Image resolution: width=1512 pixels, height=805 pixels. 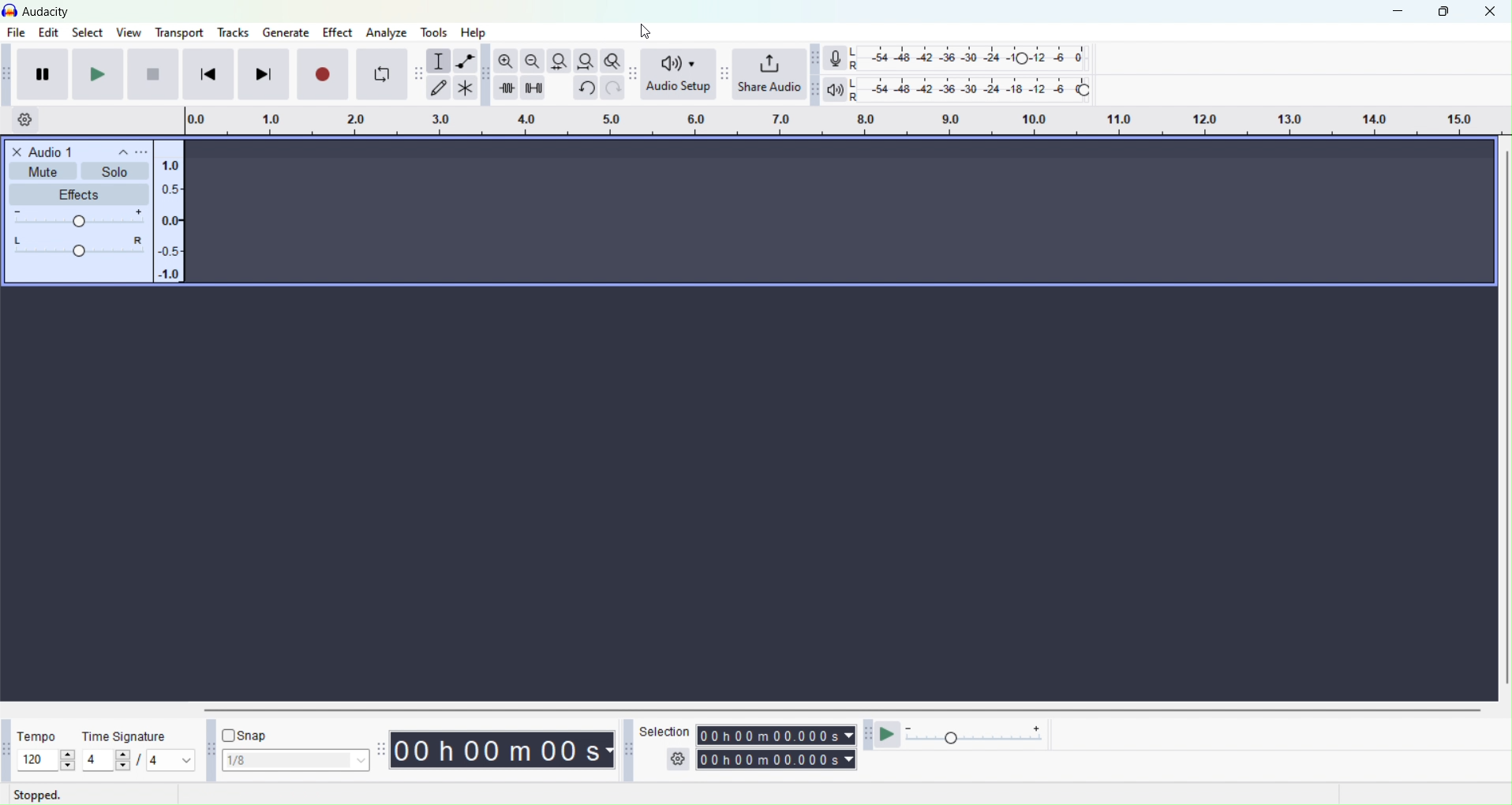 I want to click on Time signature, so click(x=123, y=736).